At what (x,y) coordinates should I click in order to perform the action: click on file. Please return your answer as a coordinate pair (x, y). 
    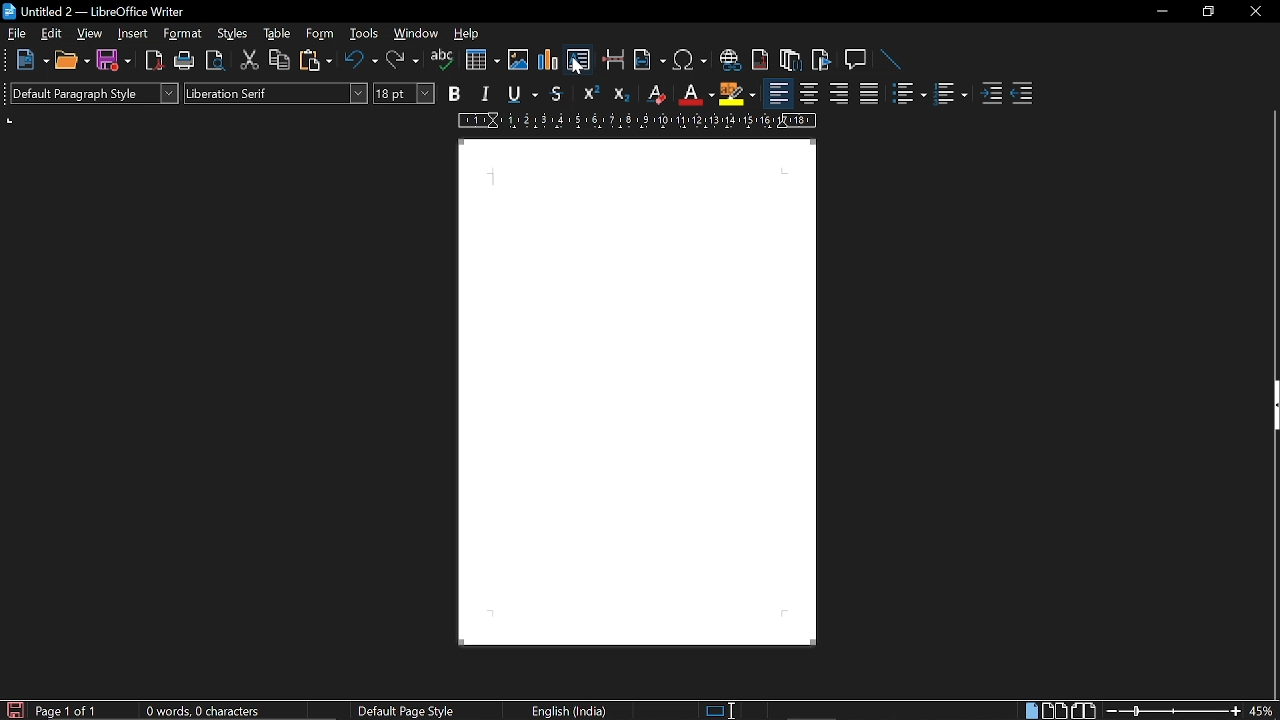
    Looking at the image, I should click on (15, 34).